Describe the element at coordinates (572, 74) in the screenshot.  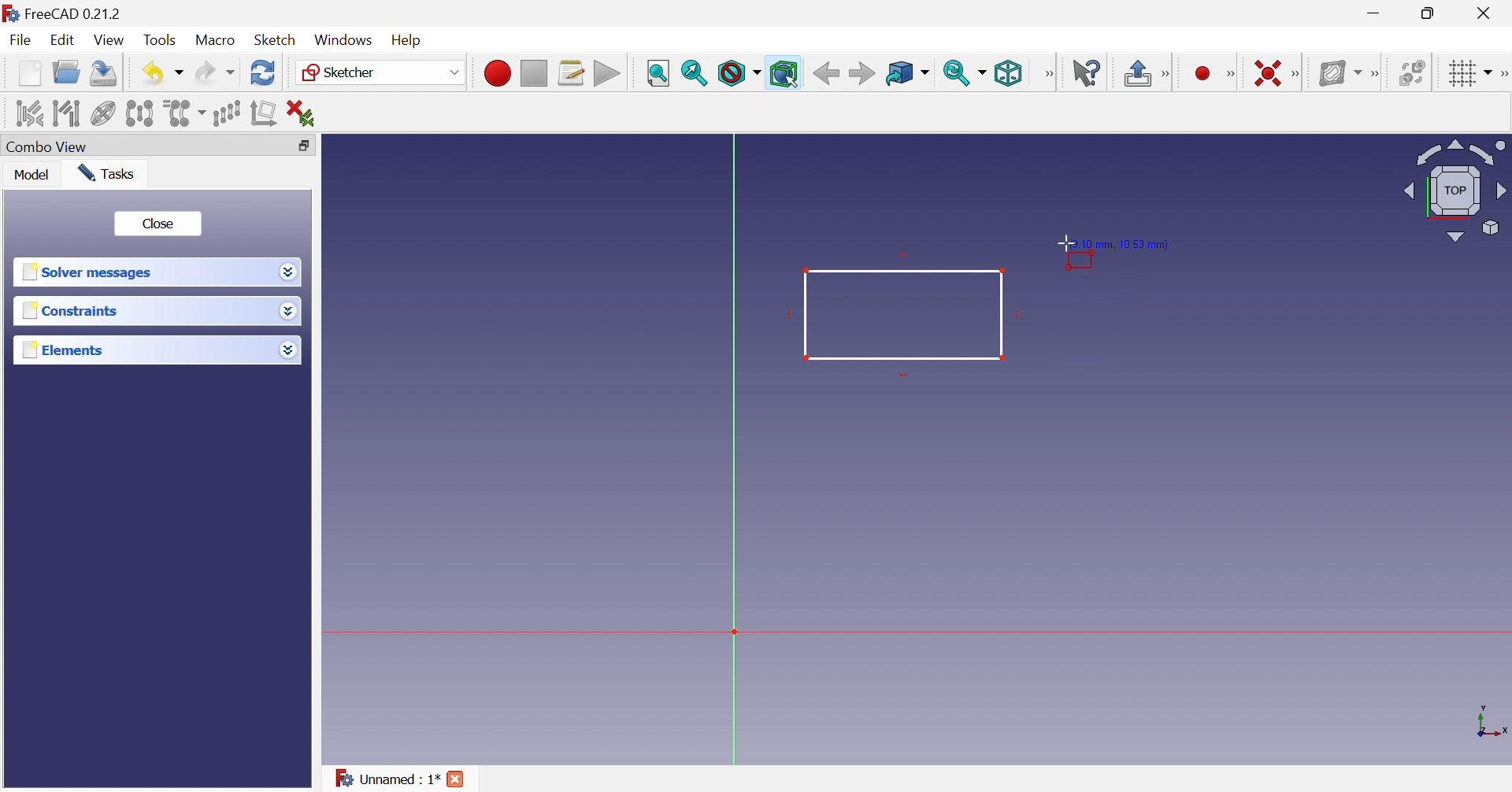
I see `Macros...` at that location.